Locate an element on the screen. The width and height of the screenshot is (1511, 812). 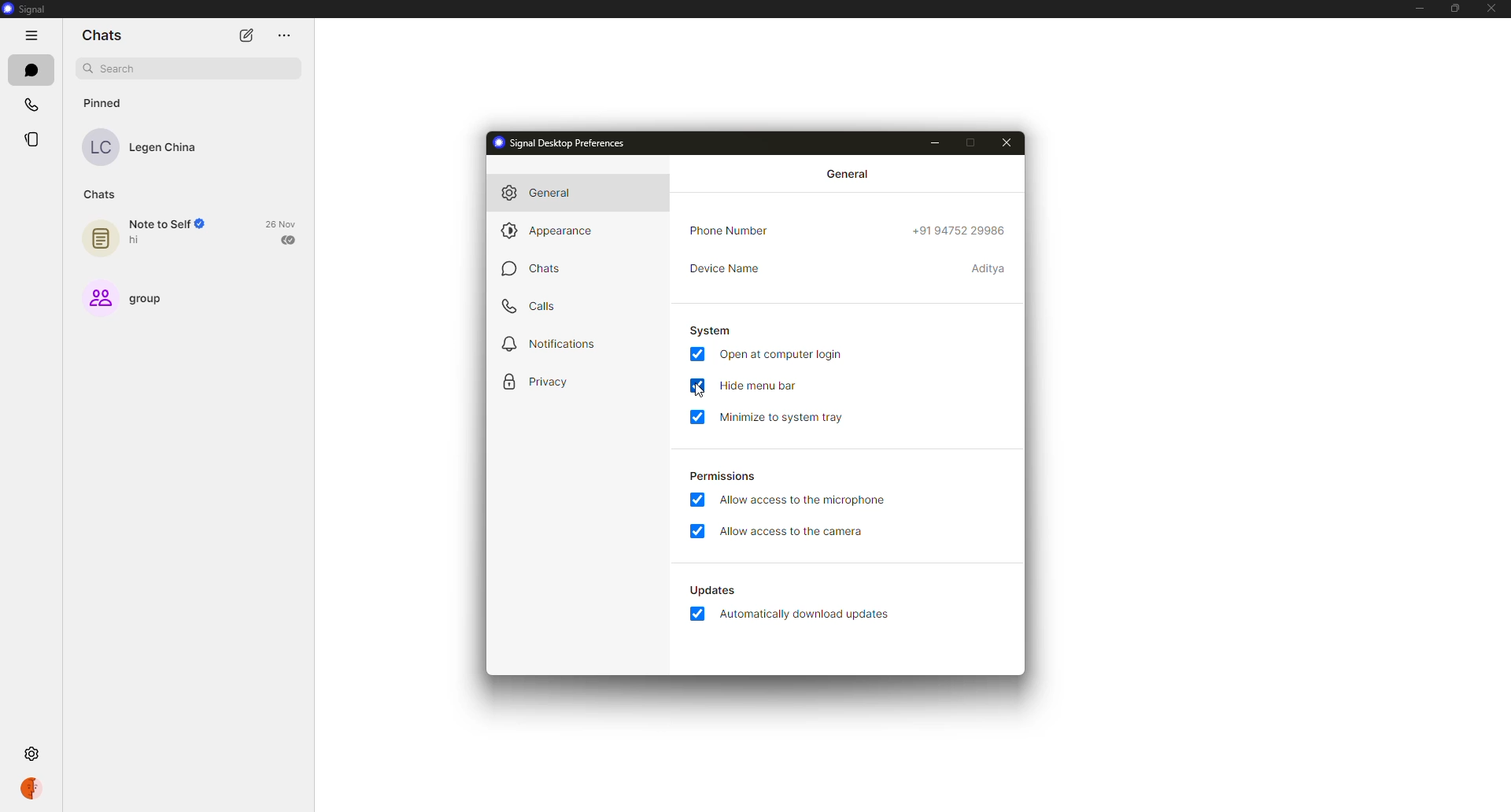
sent is located at coordinates (290, 241).